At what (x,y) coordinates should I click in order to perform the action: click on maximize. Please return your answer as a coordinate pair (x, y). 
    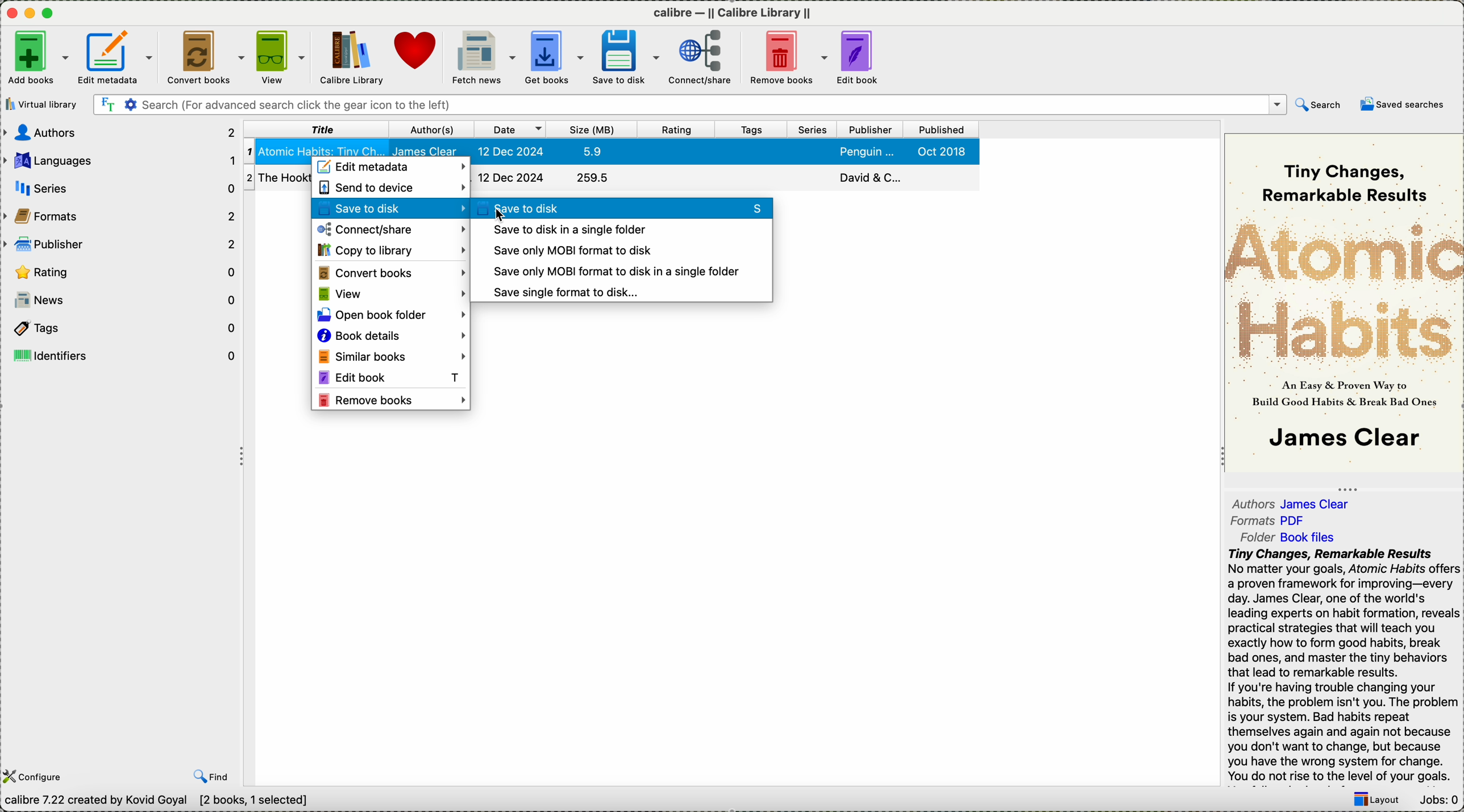
    Looking at the image, I should click on (50, 13).